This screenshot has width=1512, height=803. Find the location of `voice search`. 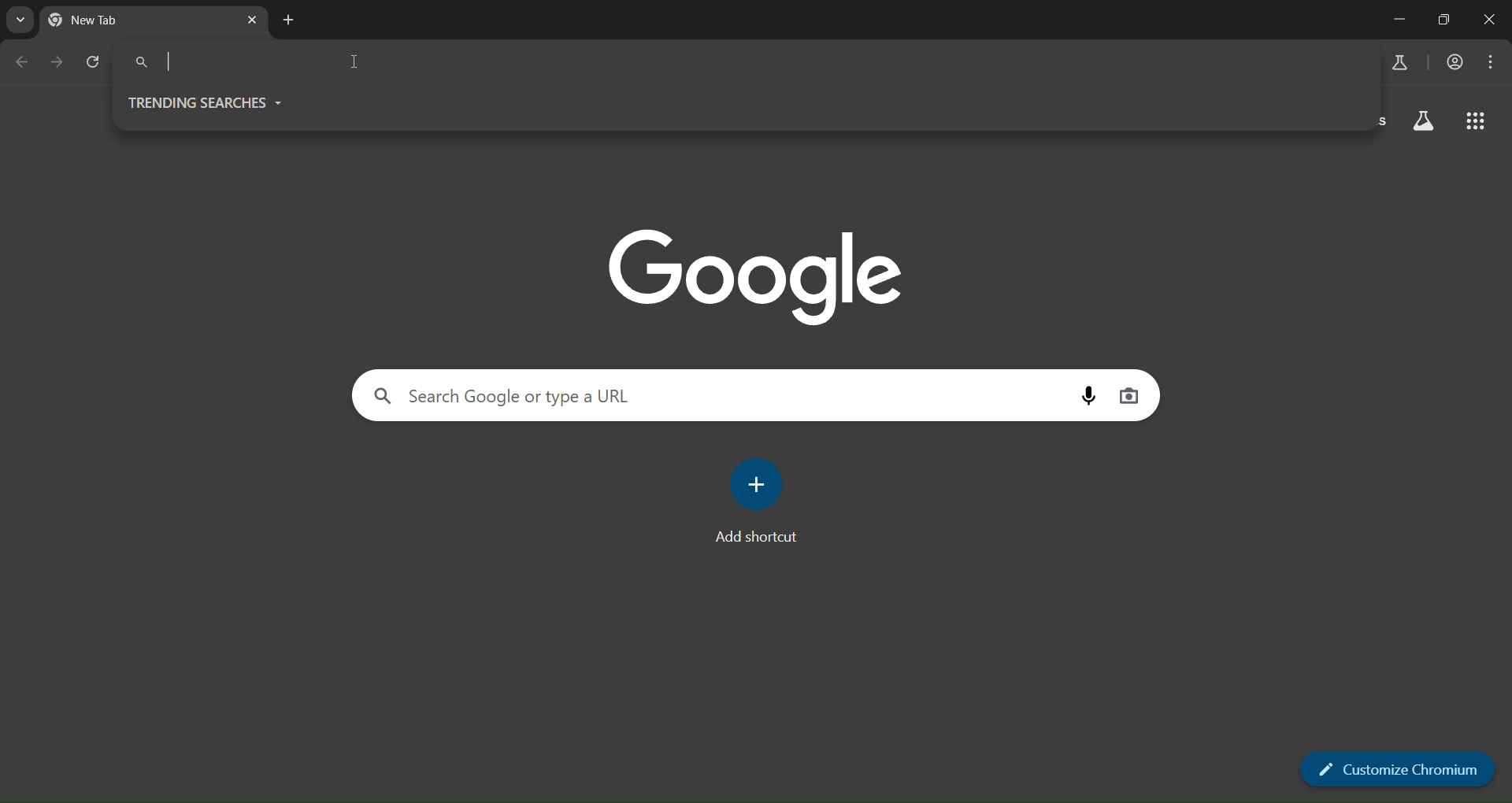

voice search is located at coordinates (1087, 397).